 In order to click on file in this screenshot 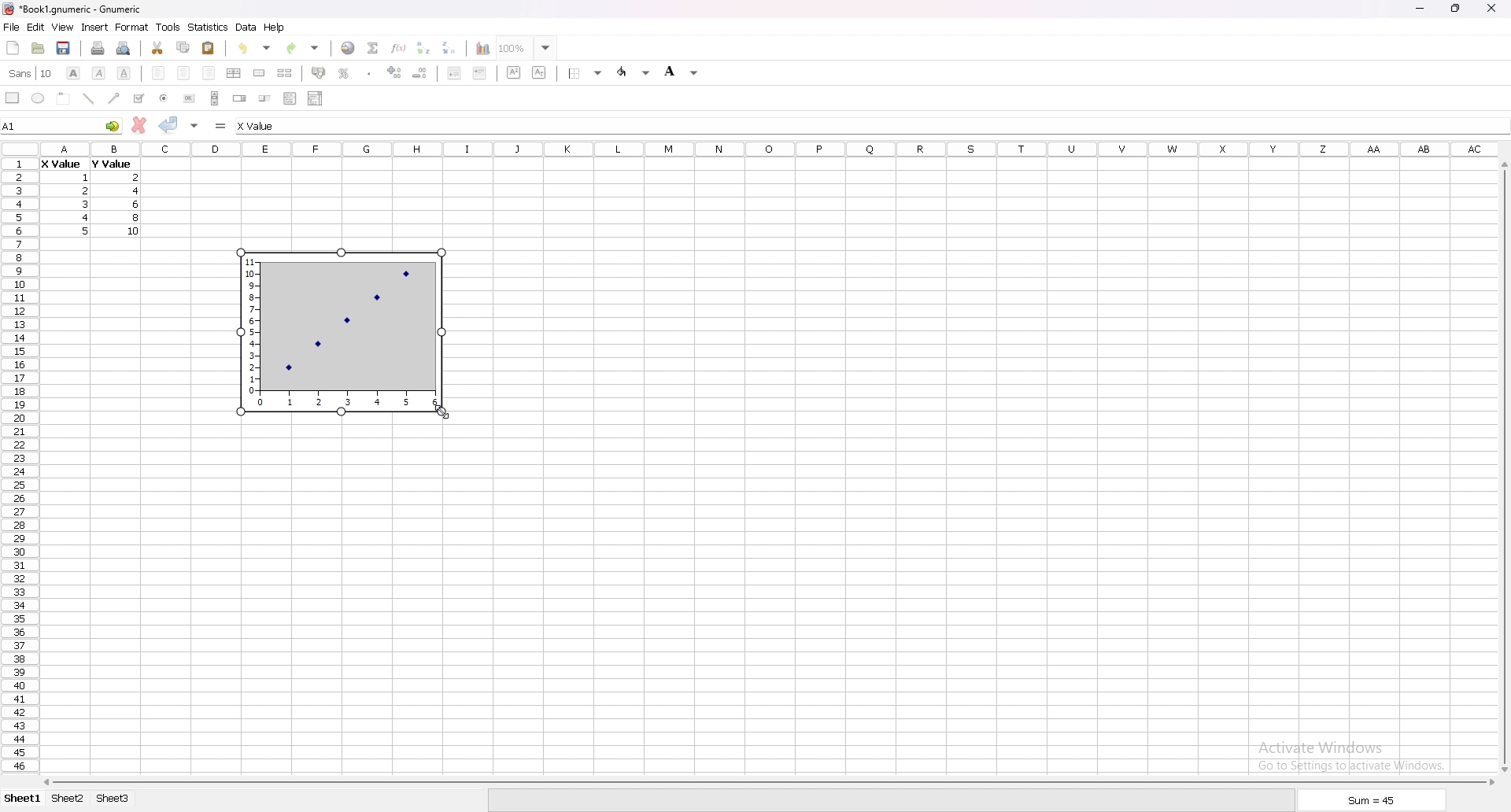, I will do `click(11, 28)`.